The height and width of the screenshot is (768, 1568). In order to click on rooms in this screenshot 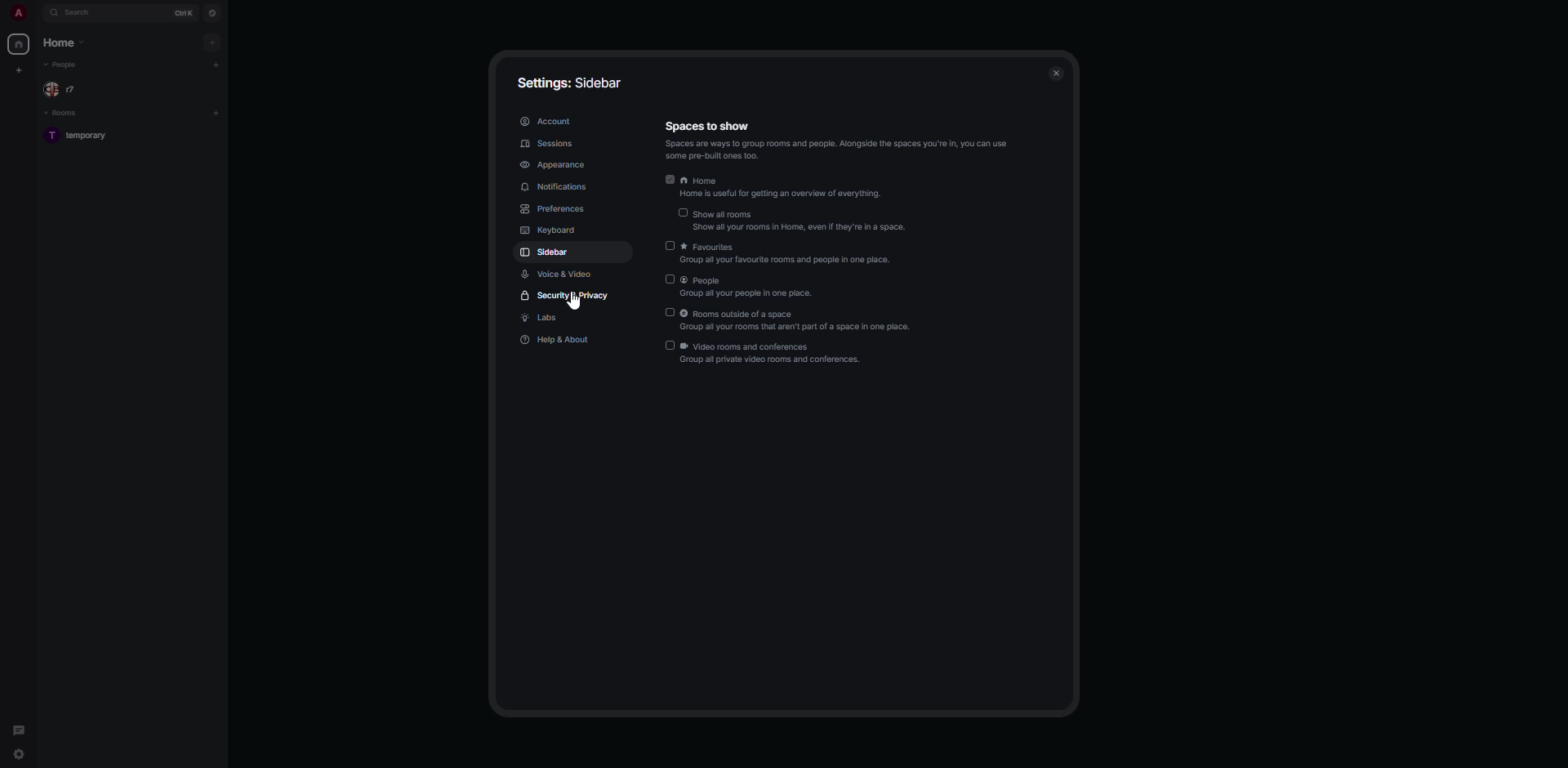, I will do `click(64, 113)`.